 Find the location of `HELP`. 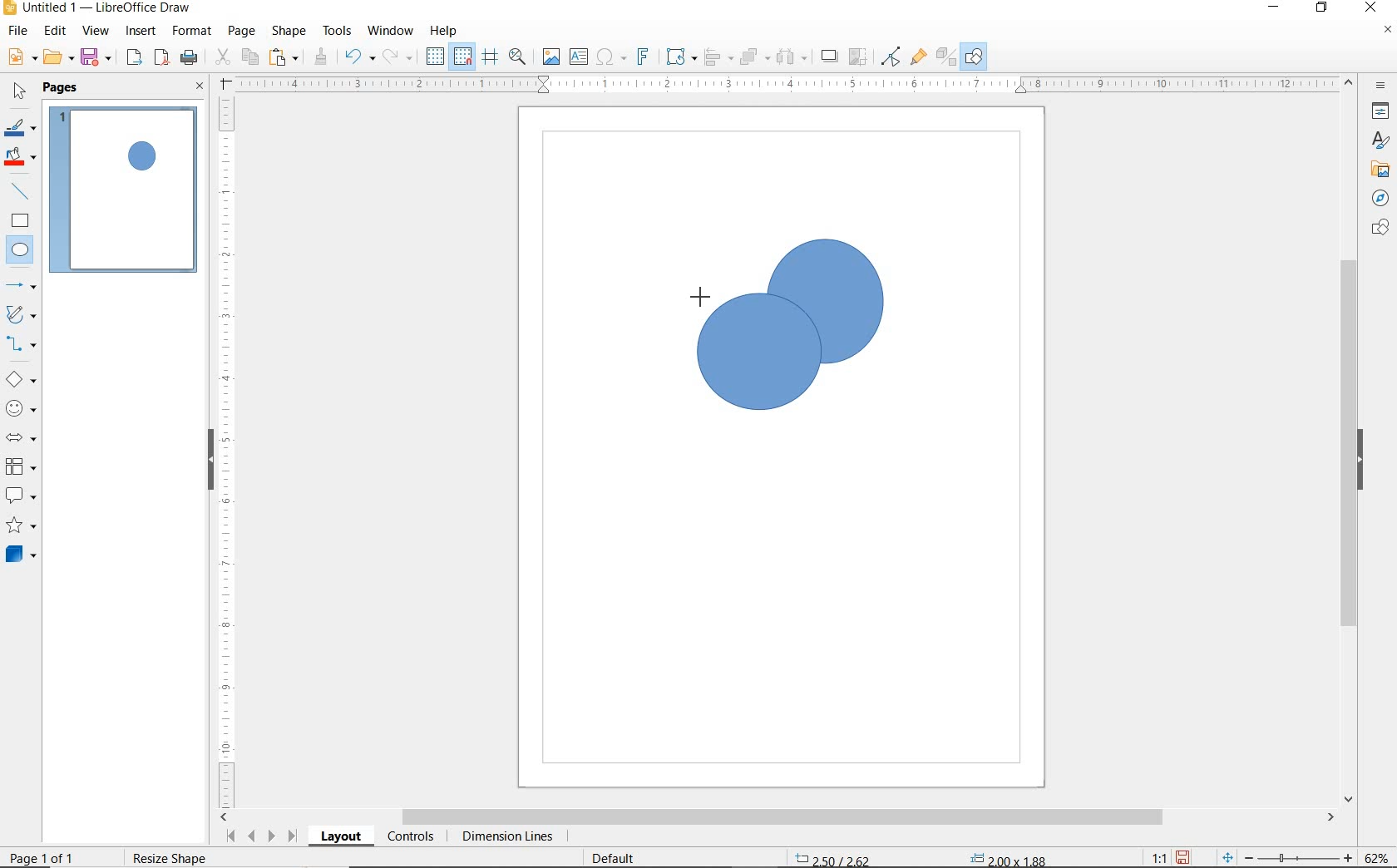

HELP is located at coordinates (444, 31).